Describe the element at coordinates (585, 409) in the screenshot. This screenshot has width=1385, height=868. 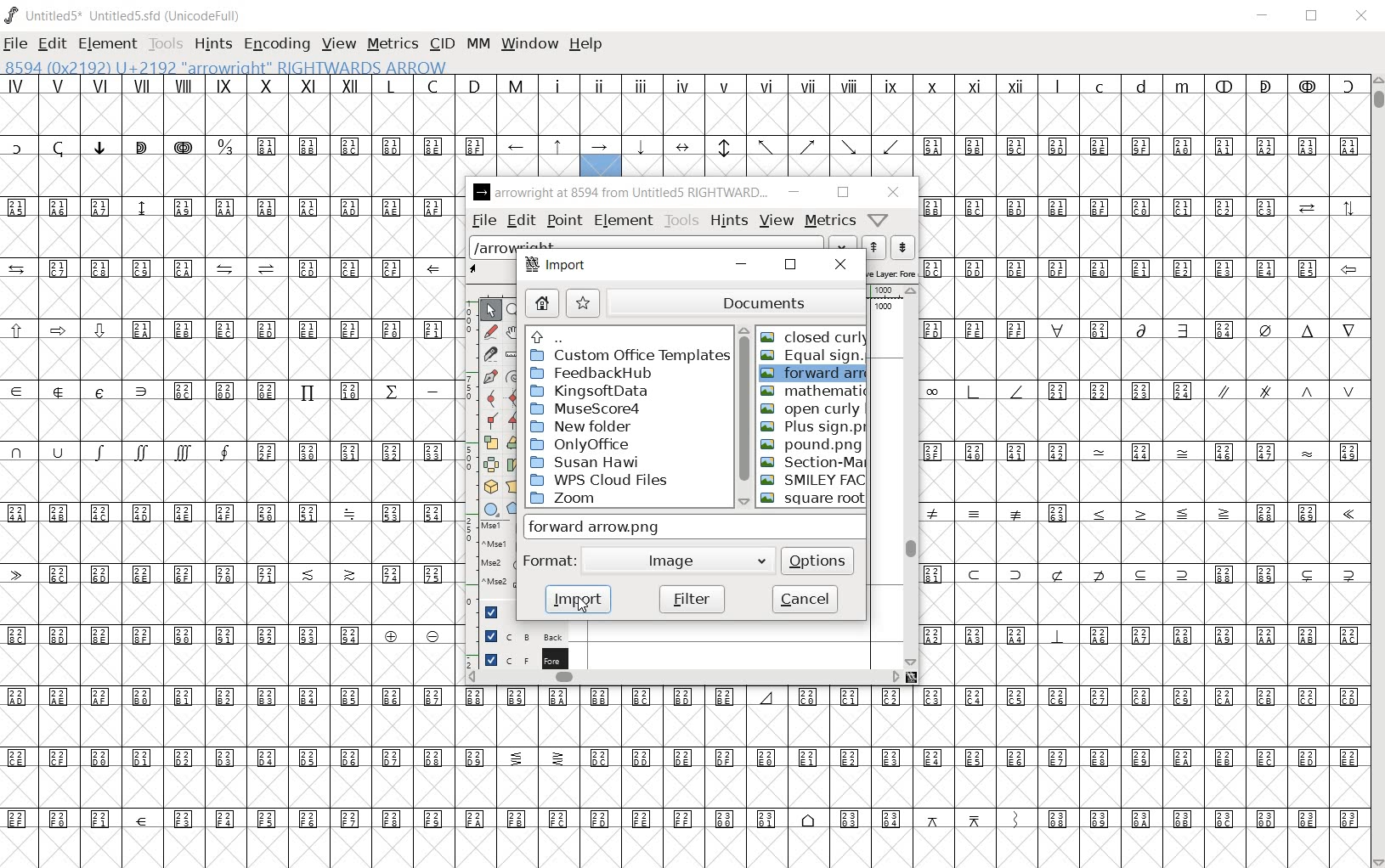
I see `MuseScore4` at that location.